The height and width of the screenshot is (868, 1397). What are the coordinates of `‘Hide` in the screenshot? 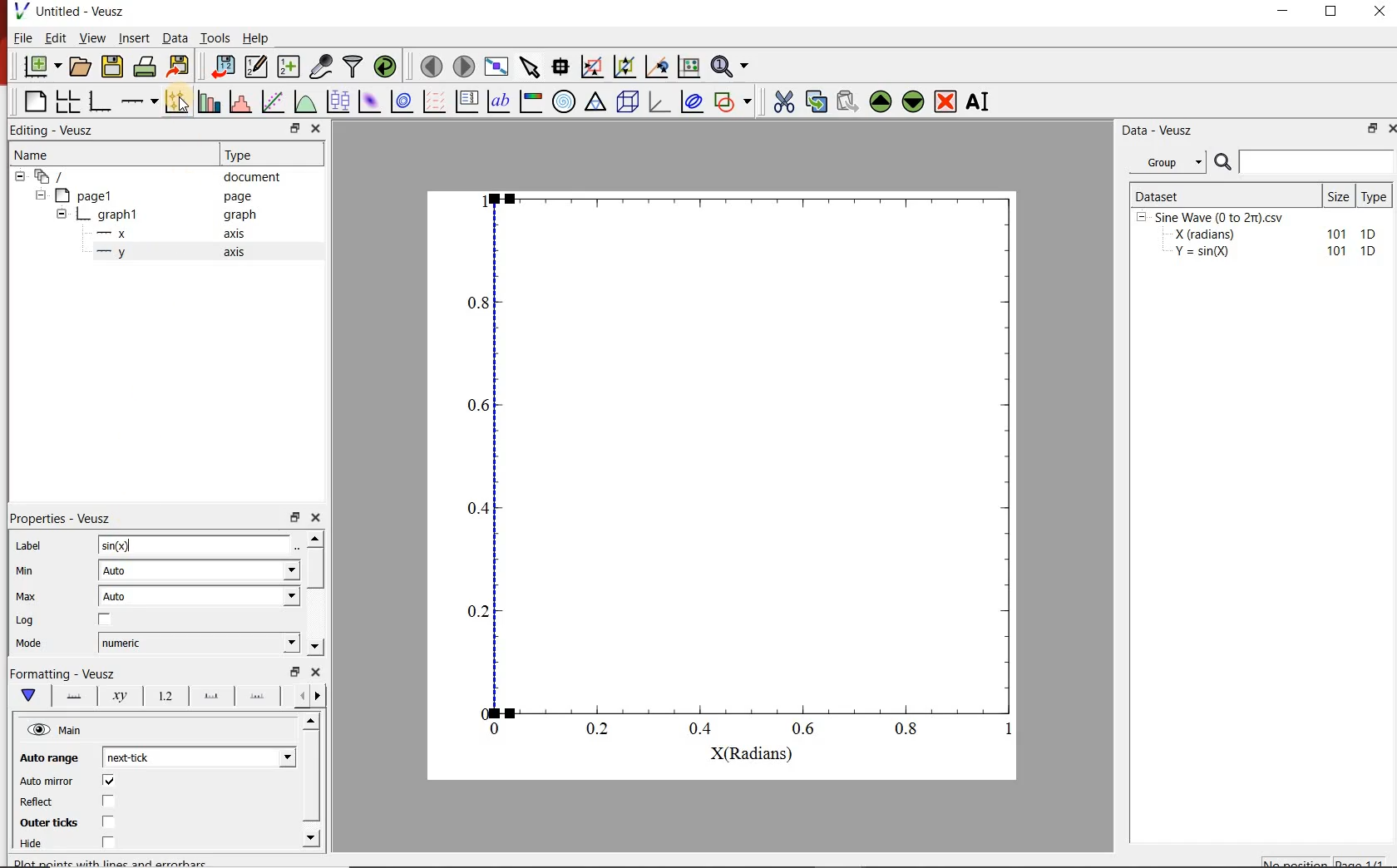 It's located at (32, 845).